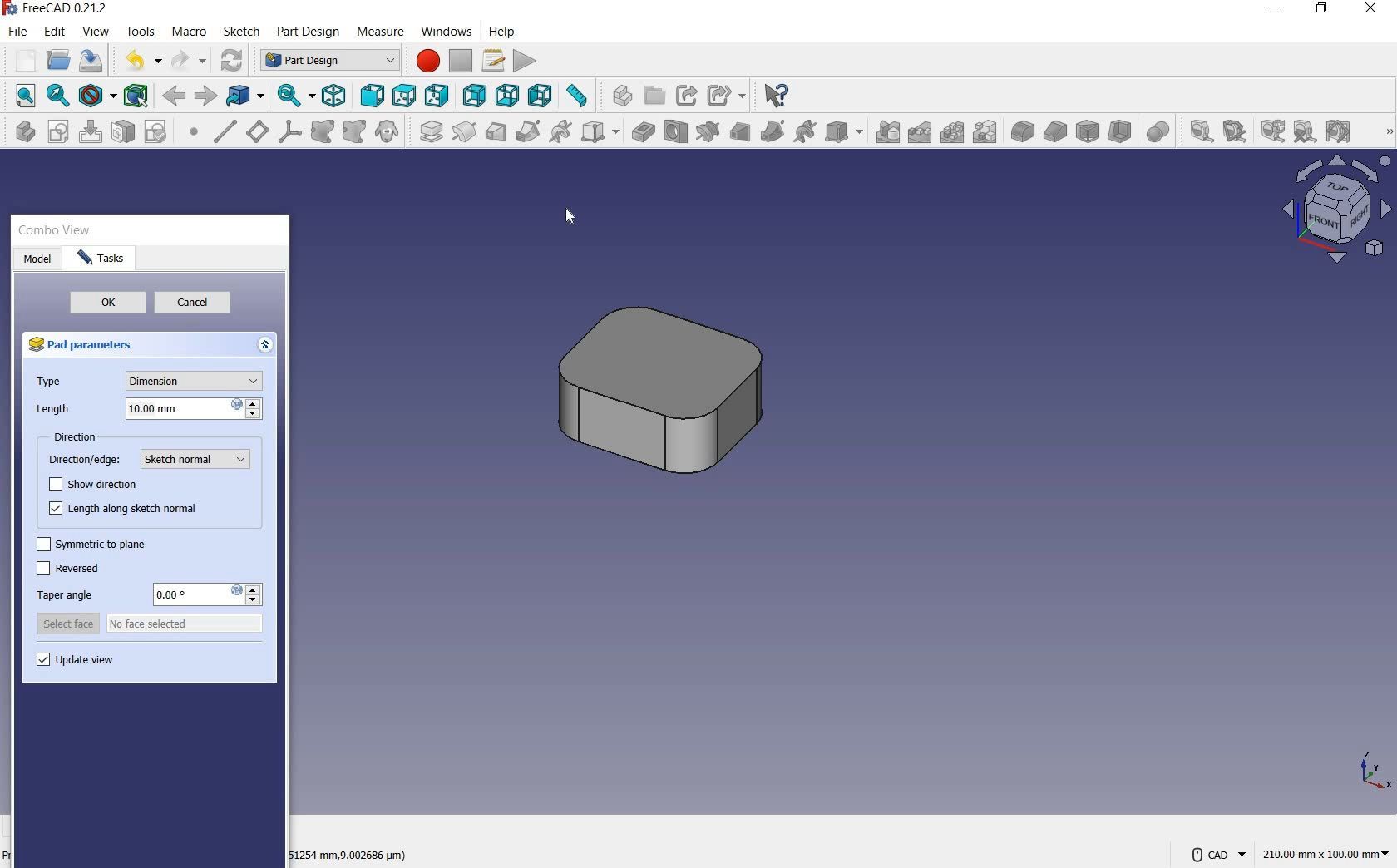 This screenshot has width=1397, height=868. I want to click on pocket, so click(641, 131).